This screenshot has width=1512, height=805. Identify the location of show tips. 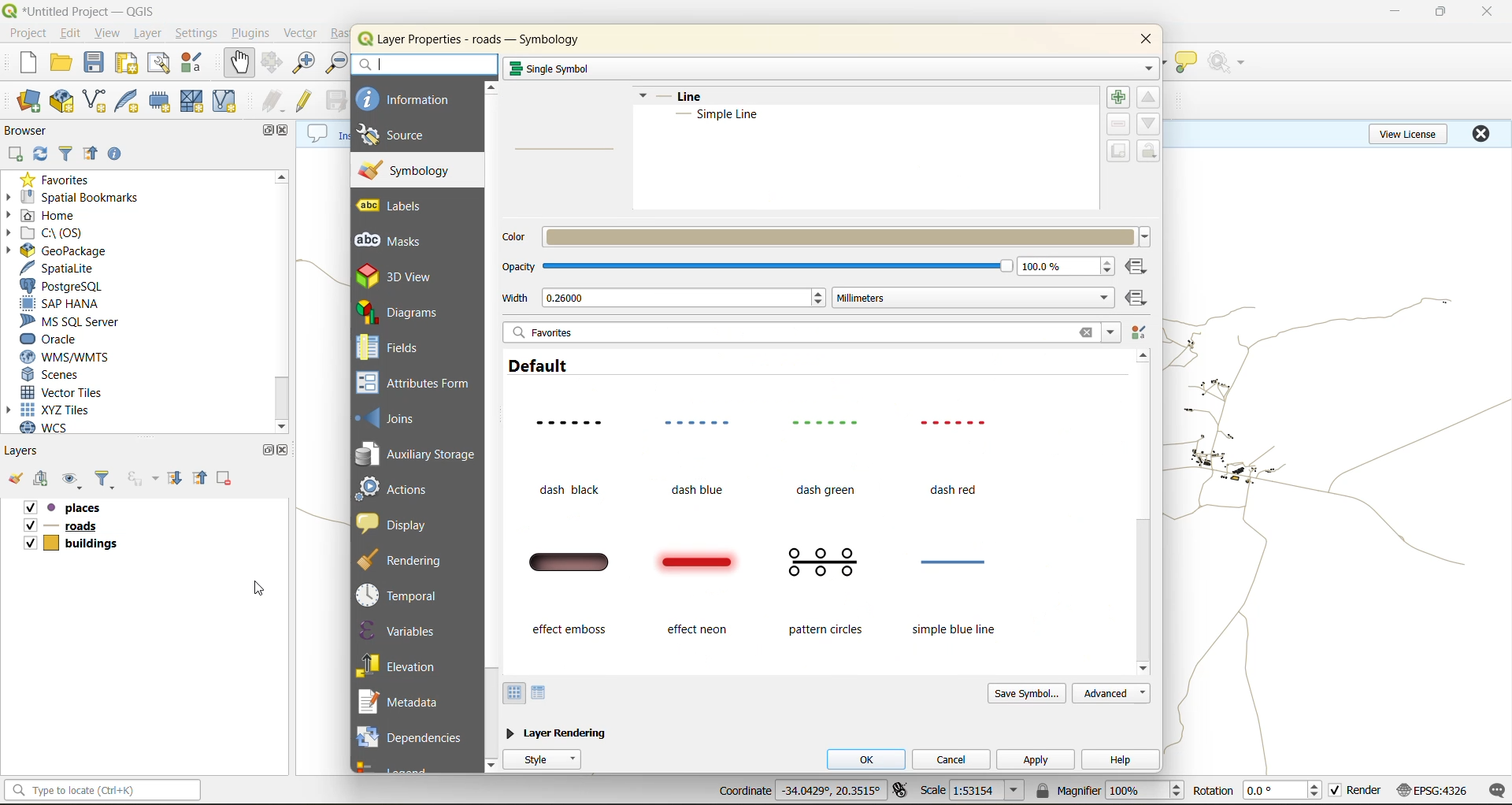
(1188, 61).